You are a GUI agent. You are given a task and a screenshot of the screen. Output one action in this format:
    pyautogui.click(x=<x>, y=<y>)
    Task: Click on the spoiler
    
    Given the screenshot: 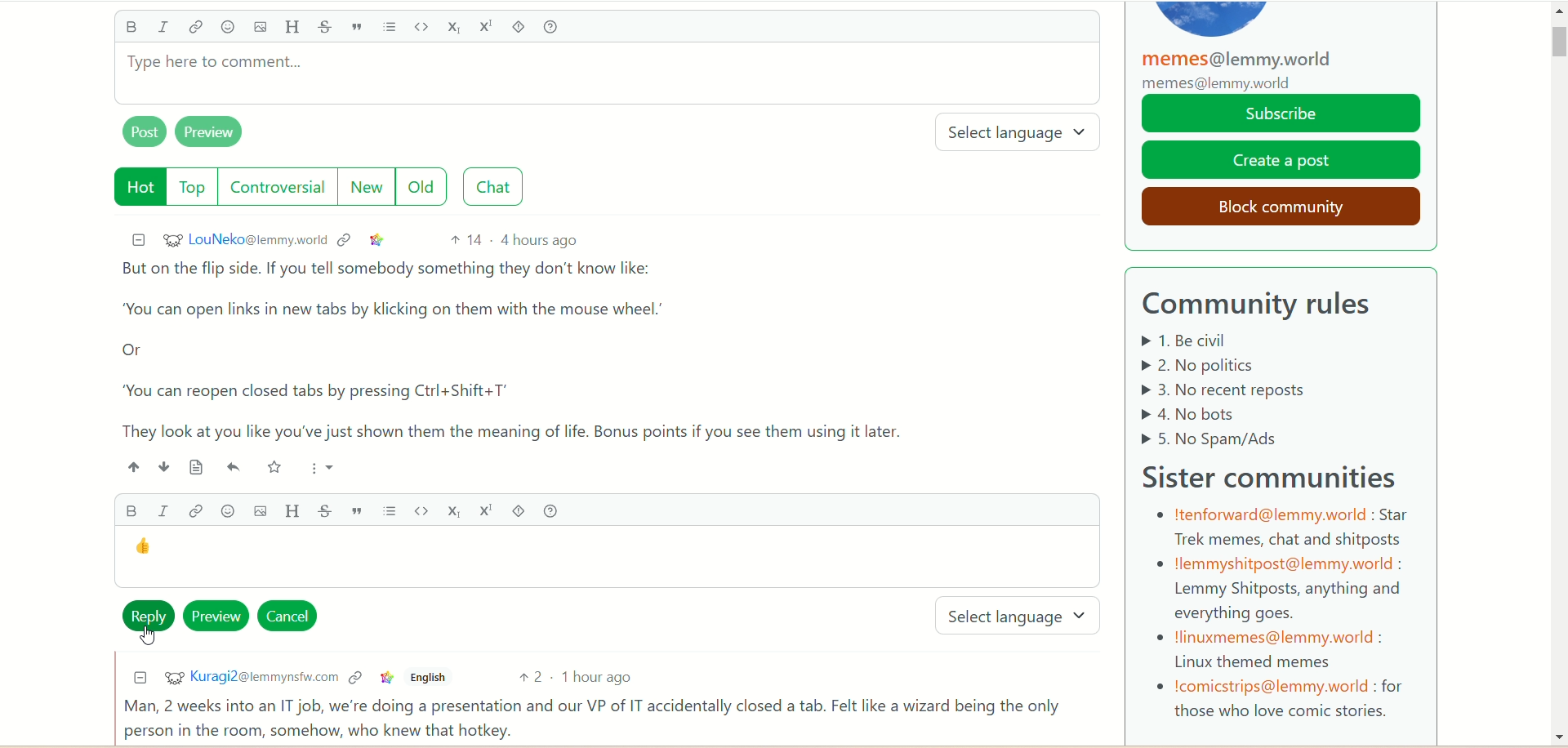 What is the action you would take?
    pyautogui.click(x=521, y=29)
    